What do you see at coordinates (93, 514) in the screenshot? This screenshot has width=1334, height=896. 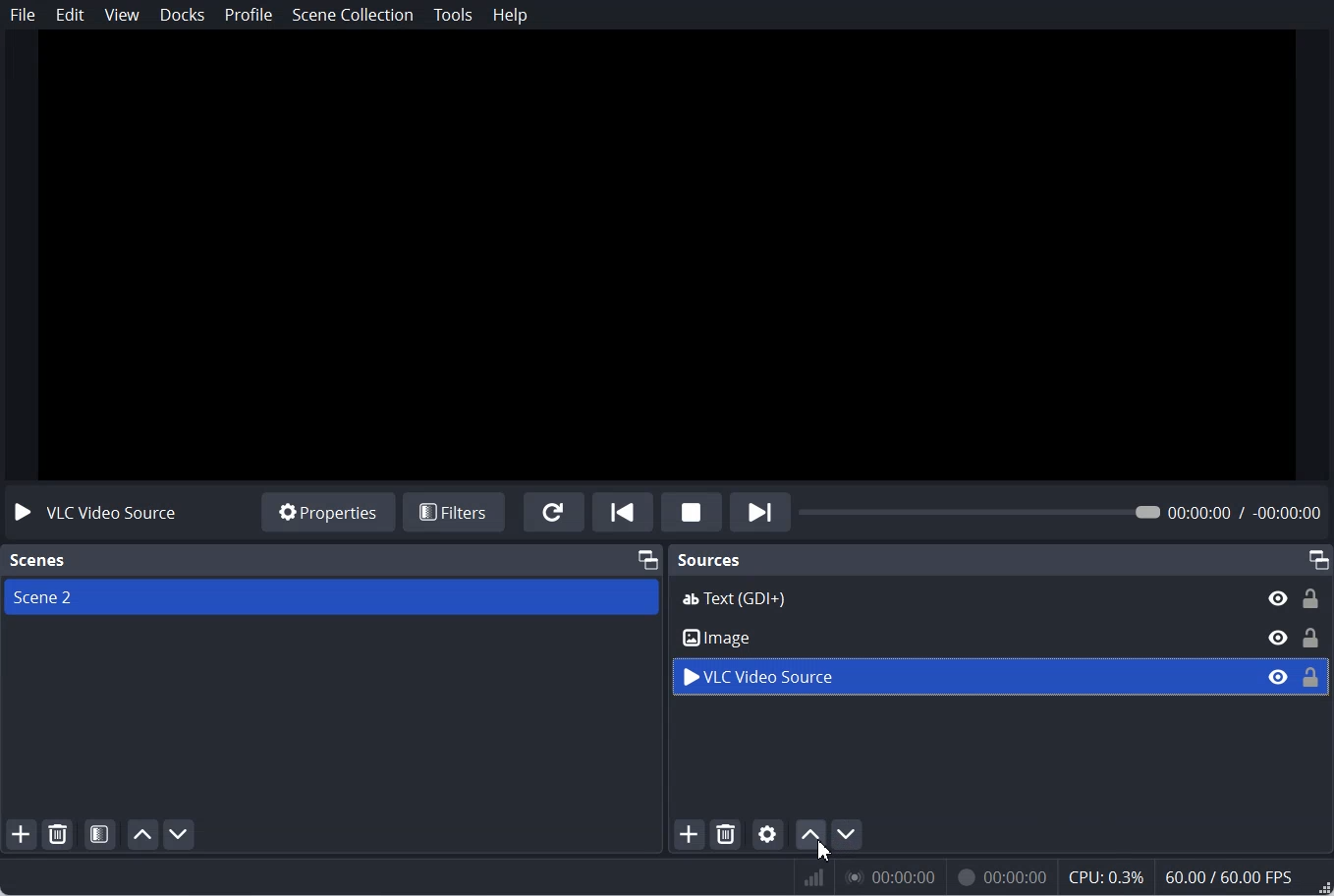 I see `Text` at bounding box center [93, 514].